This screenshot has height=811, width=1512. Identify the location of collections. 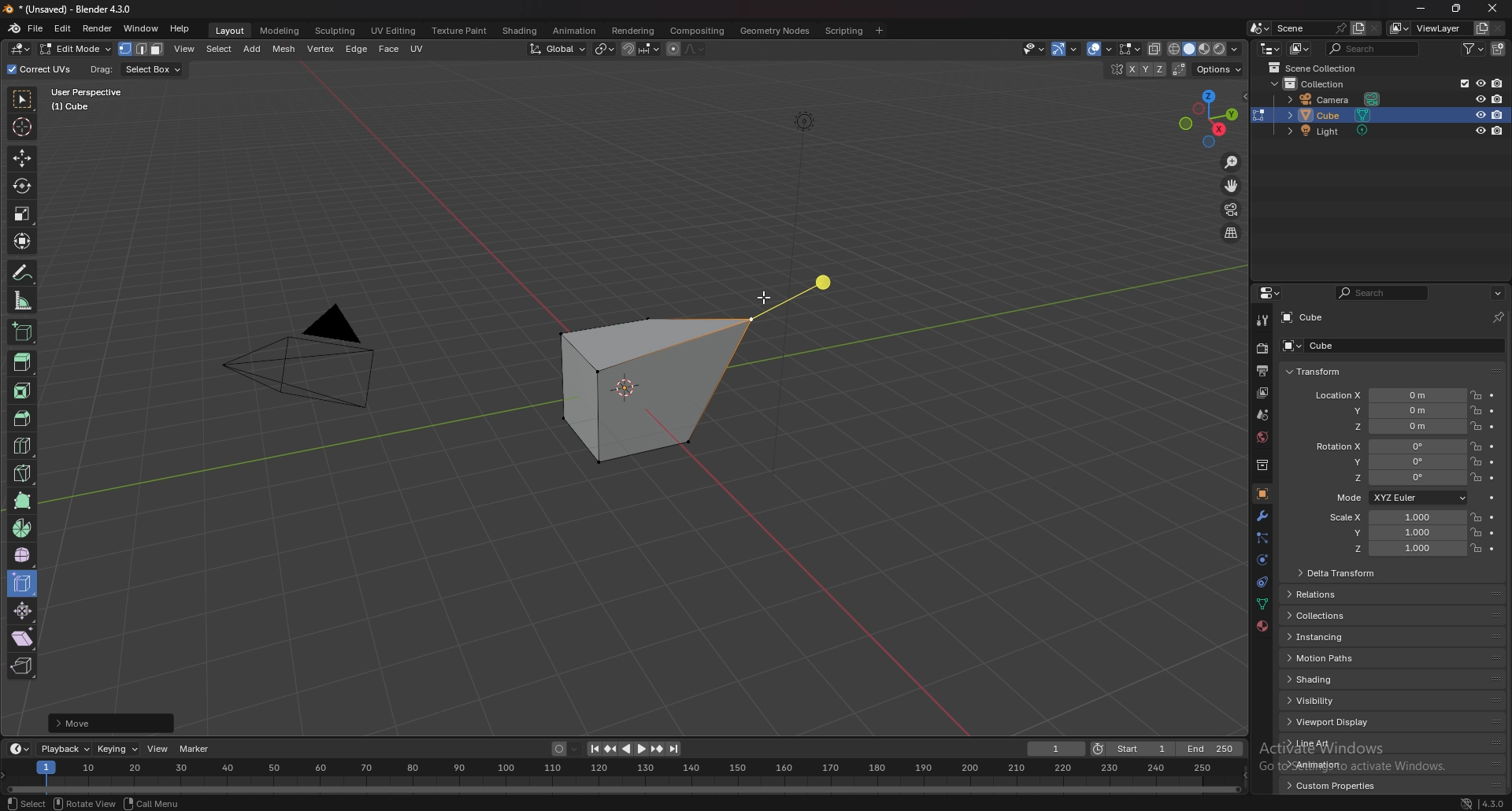
(1325, 617).